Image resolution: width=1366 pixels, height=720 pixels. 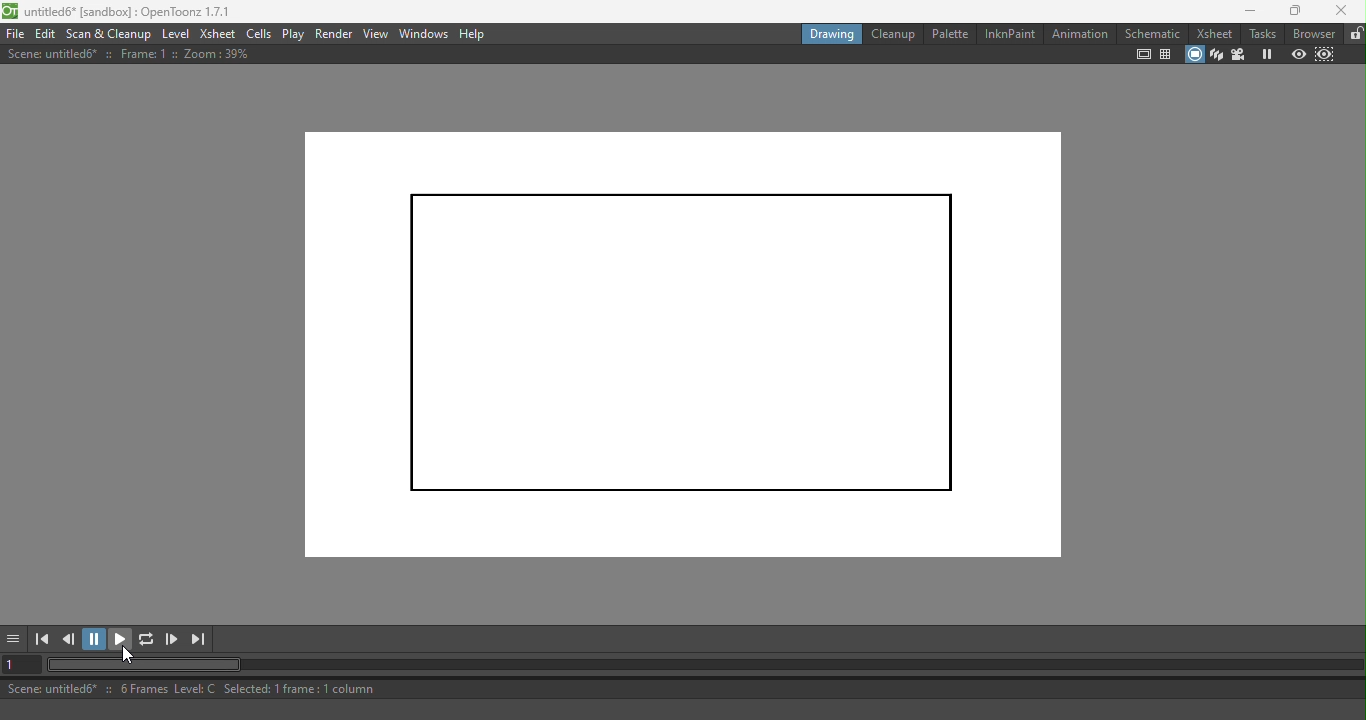 What do you see at coordinates (203, 640) in the screenshot?
I see `Last frame` at bounding box center [203, 640].